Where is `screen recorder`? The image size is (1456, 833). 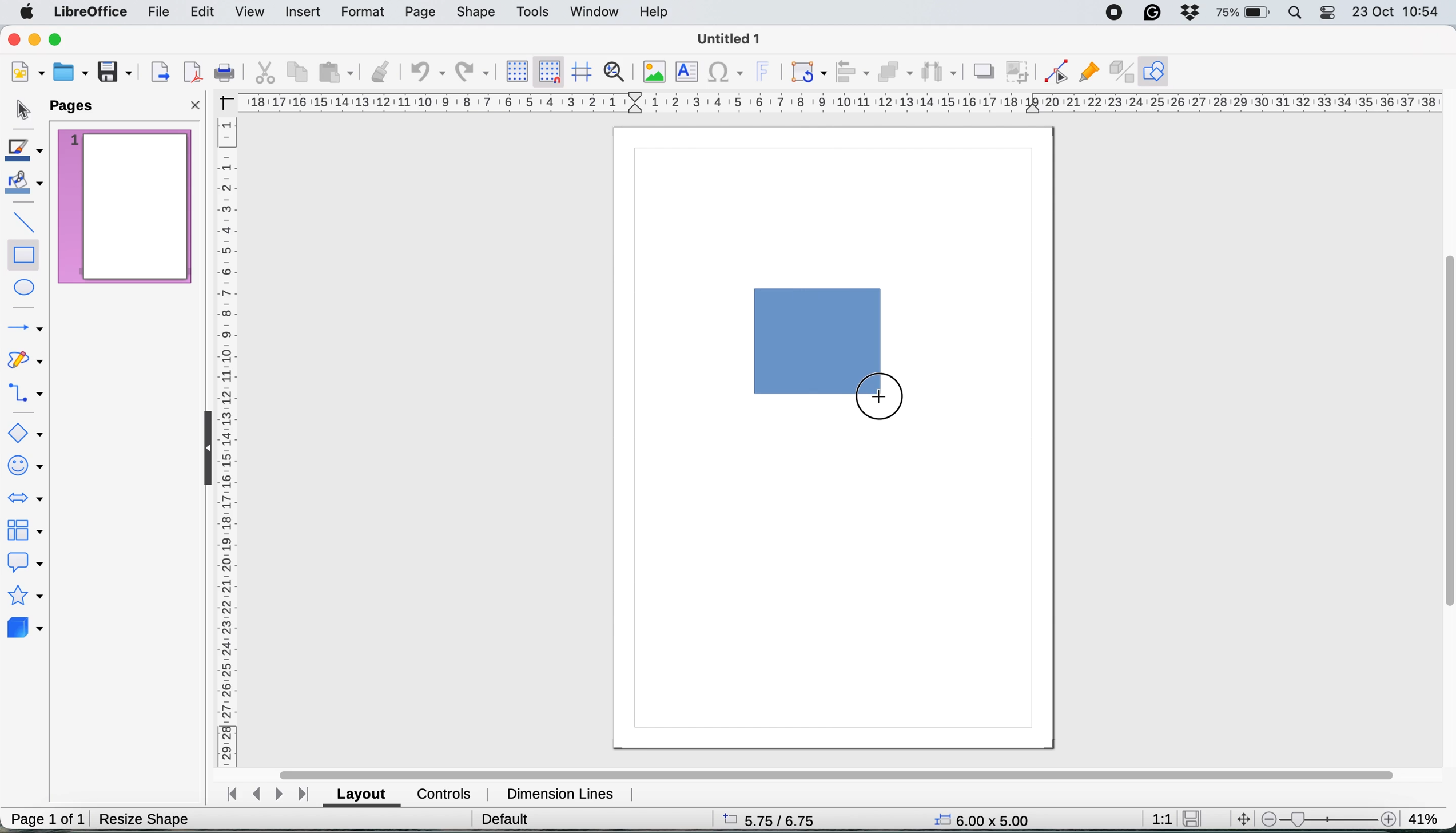
screen recorder is located at coordinates (1112, 13).